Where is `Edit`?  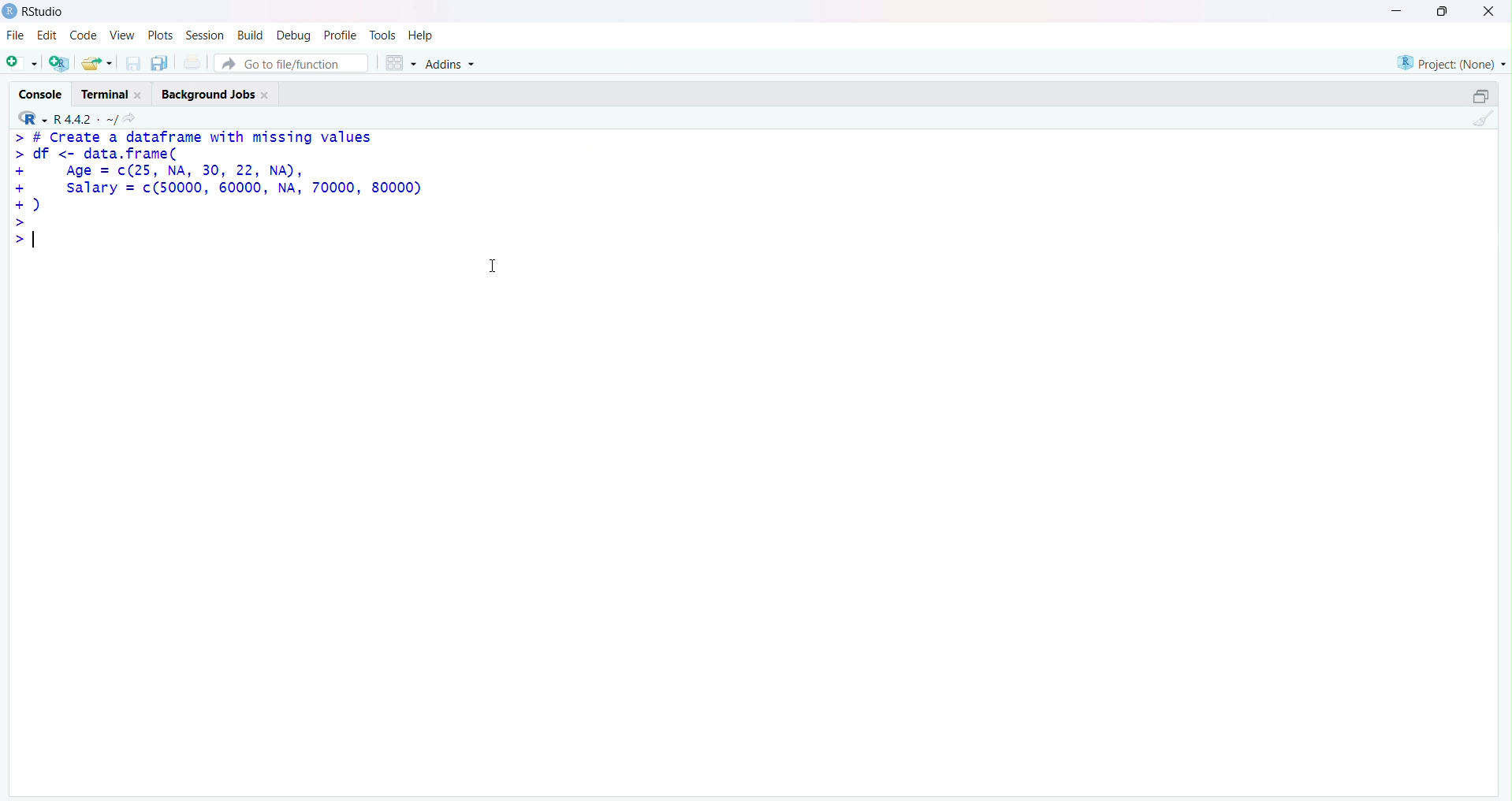
Edit is located at coordinates (48, 35).